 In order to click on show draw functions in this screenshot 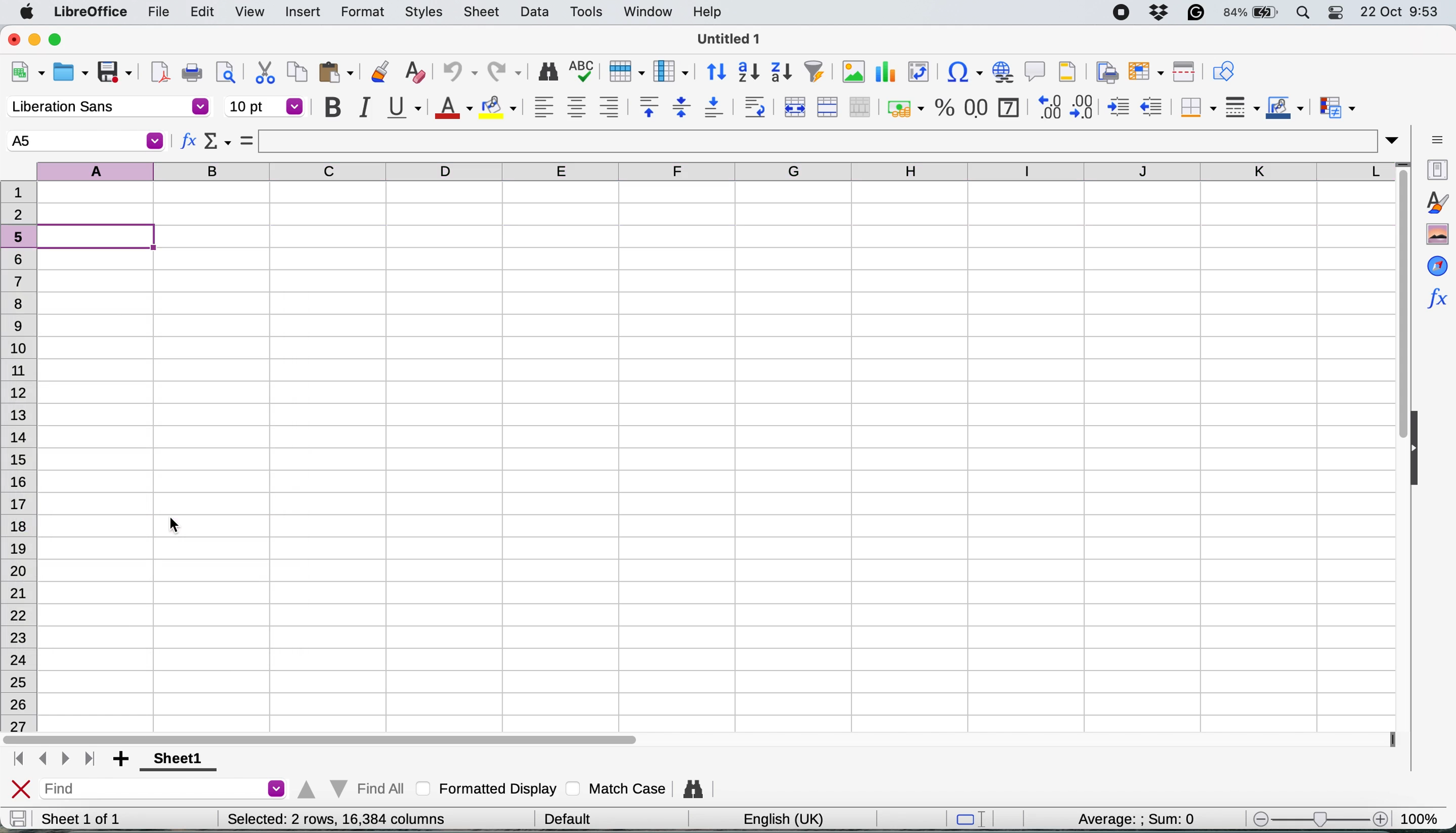, I will do `click(1223, 70)`.